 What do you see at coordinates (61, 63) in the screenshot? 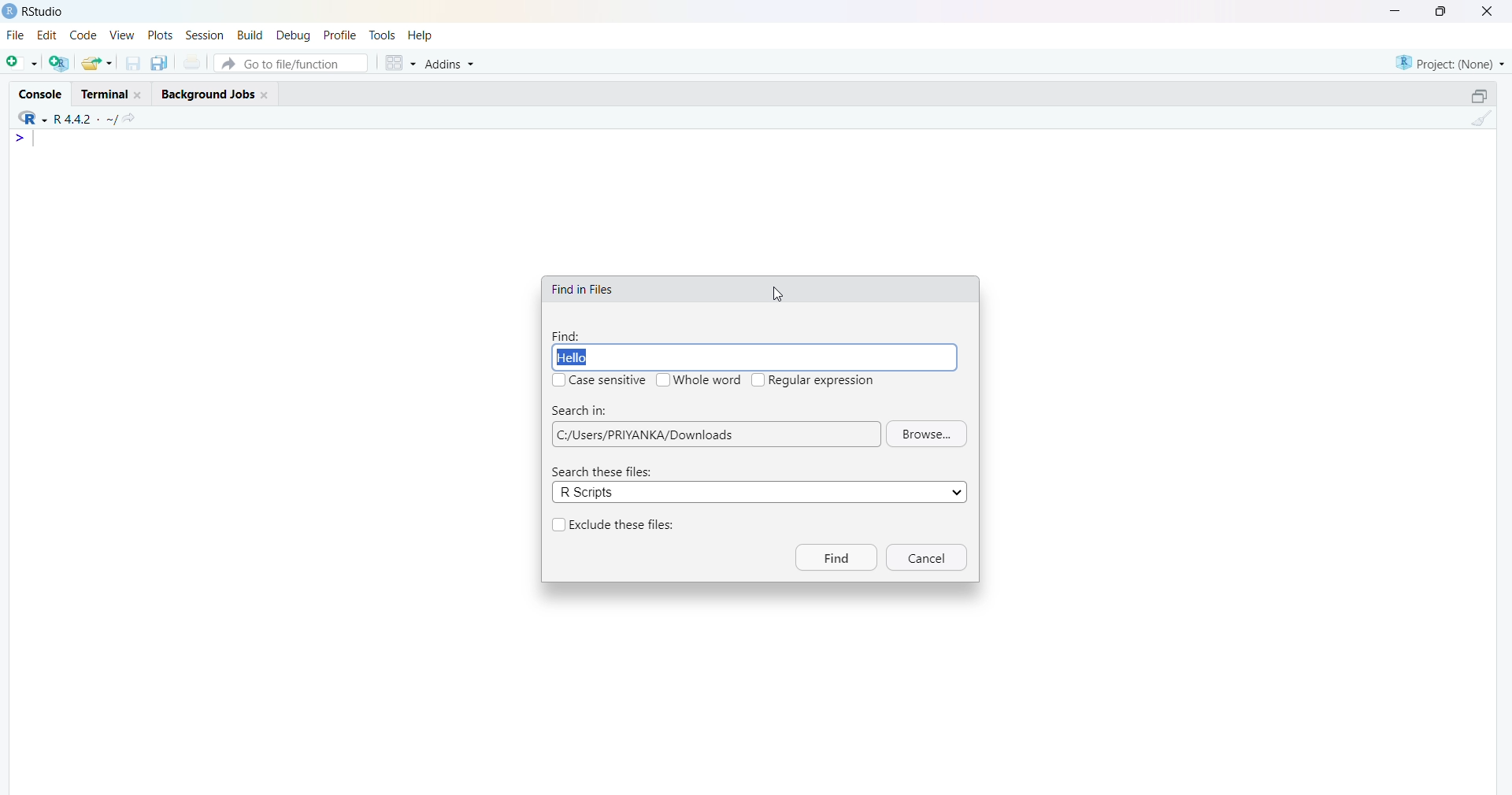
I see `add file` at bounding box center [61, 63].